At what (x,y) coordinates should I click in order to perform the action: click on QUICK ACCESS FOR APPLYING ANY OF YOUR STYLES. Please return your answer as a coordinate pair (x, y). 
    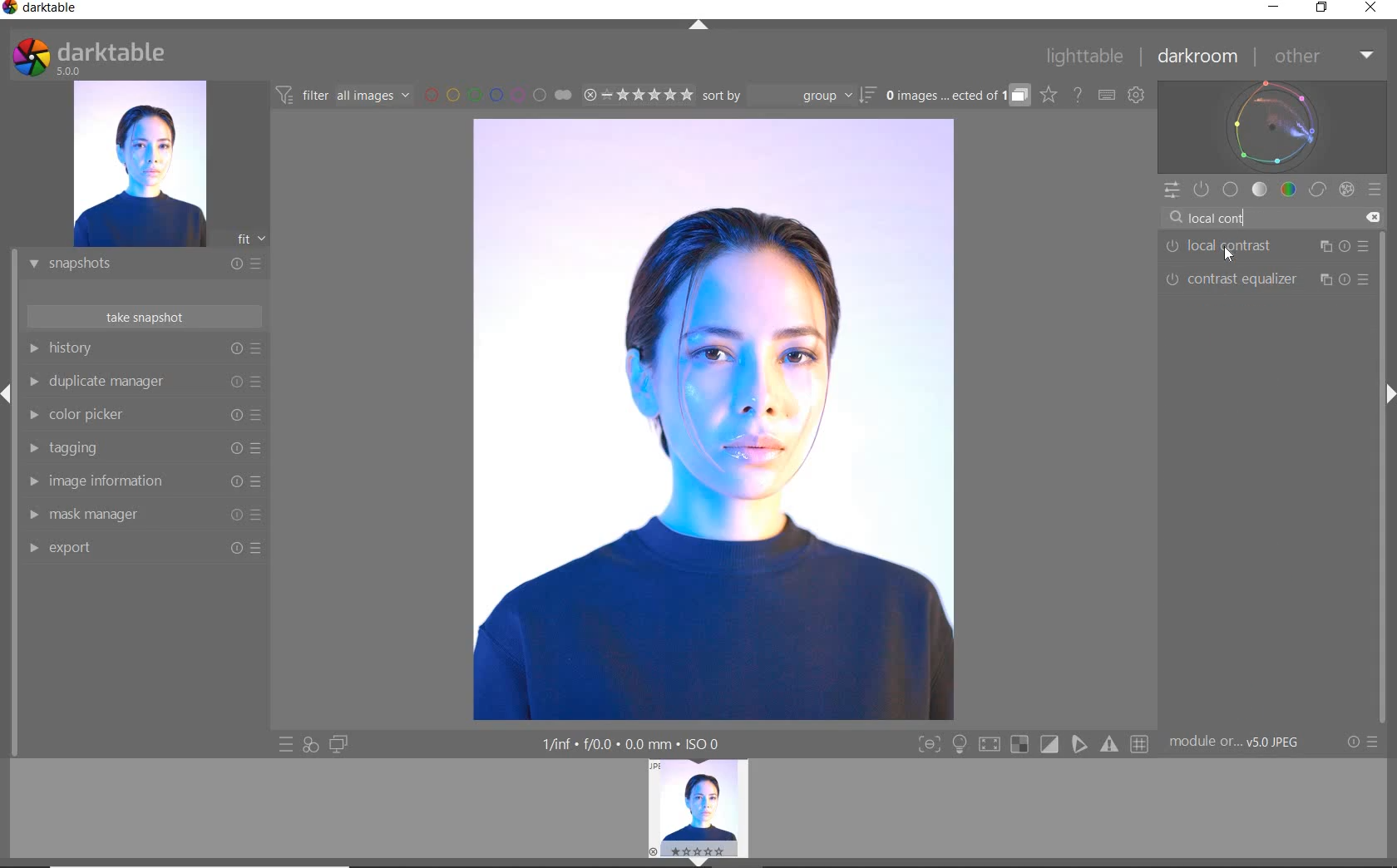
    Looking at the image, I should click on (309, 744).